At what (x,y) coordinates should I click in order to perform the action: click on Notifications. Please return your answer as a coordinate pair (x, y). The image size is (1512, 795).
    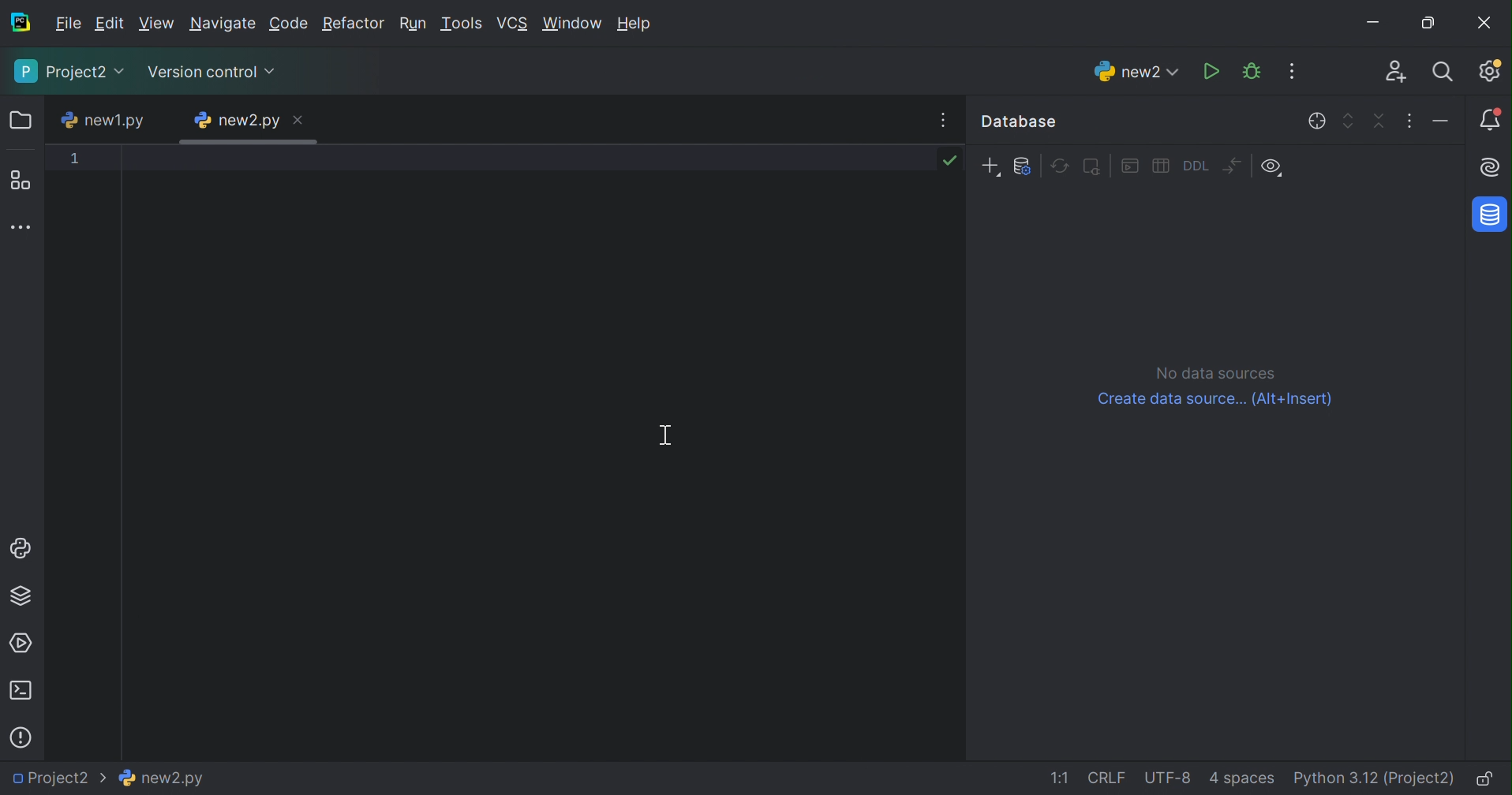
    Looking at the image, I should click on (1490, 118).